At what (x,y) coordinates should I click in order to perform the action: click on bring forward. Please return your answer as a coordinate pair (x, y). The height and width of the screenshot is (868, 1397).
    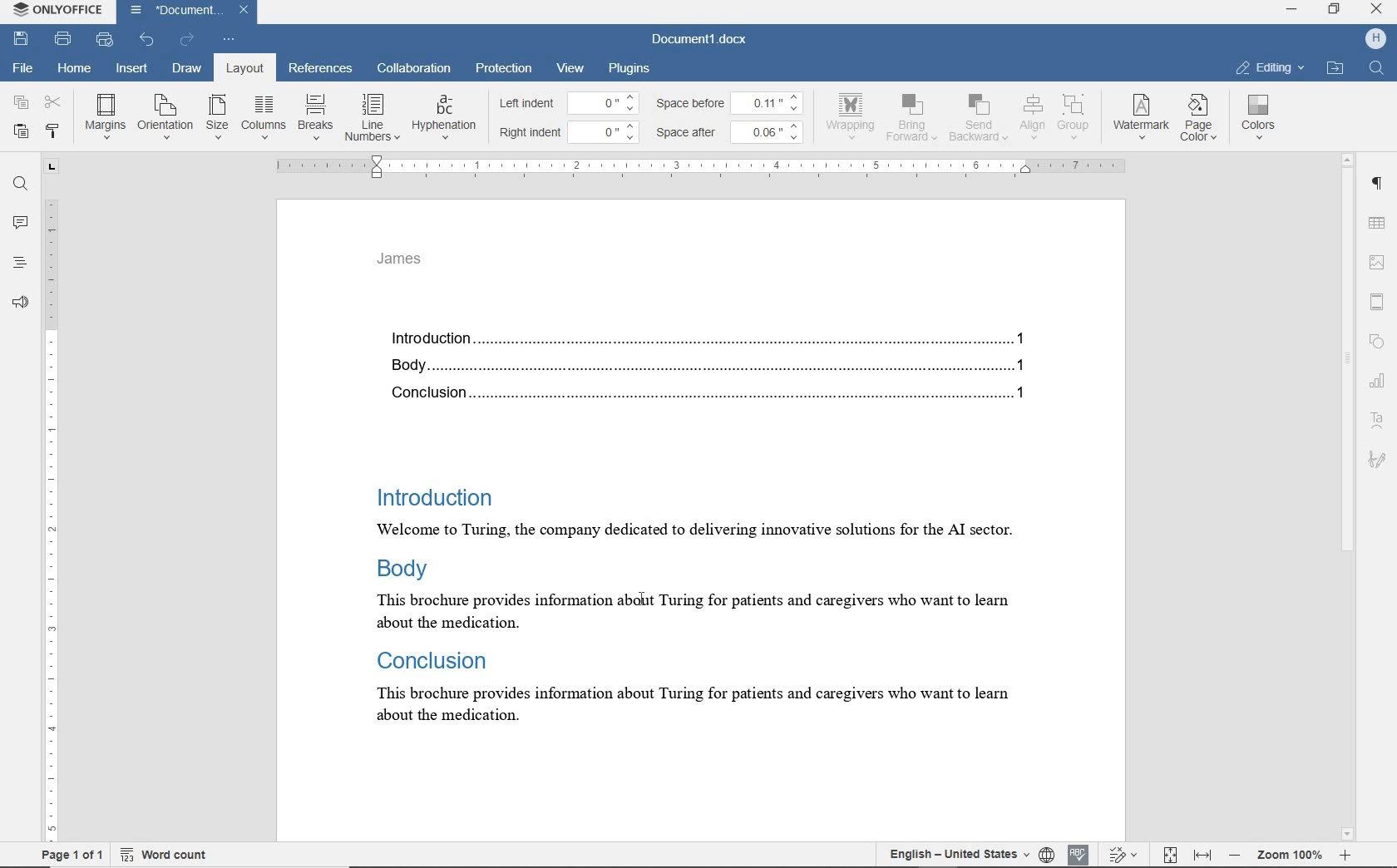
    Looking at the image, I should click on (914, 121).